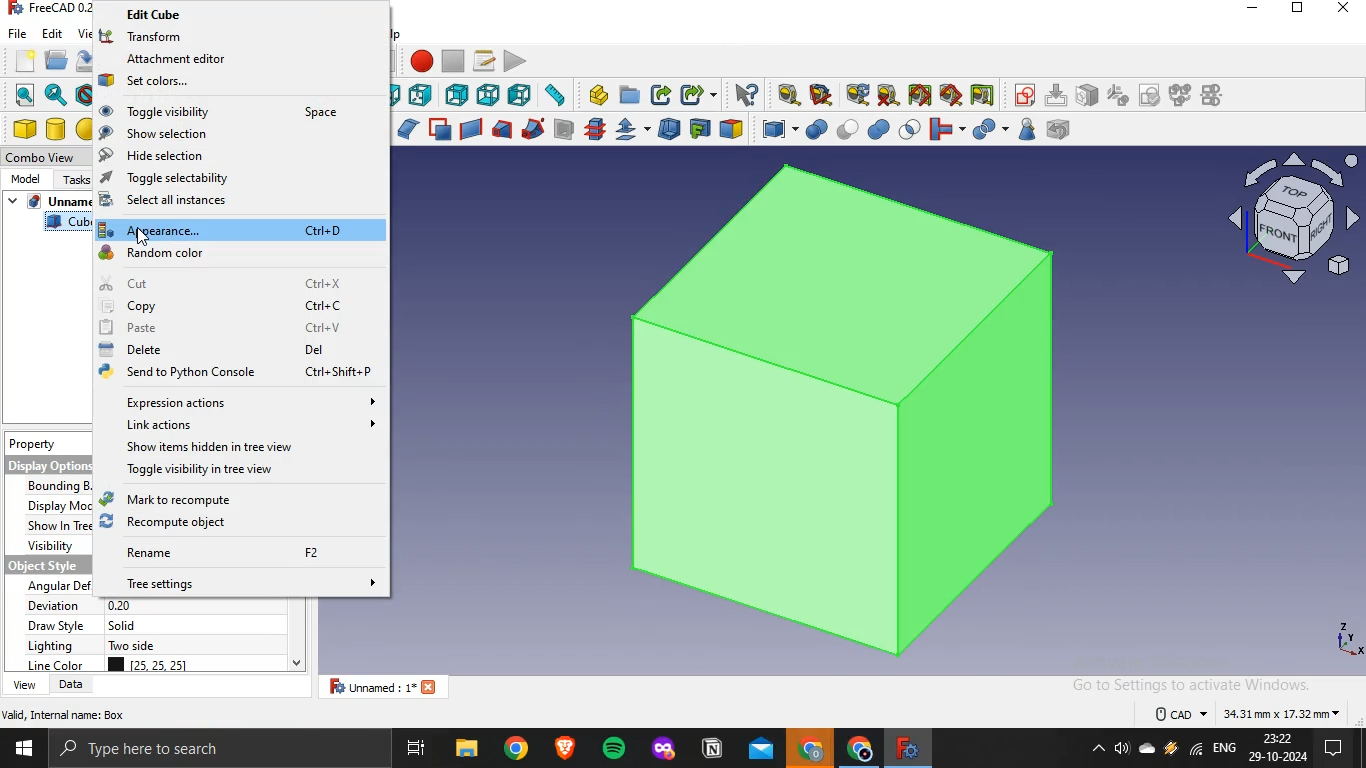 This screenshot has height=768, width=1366. I want to click on expression actions, so click(237, 404).